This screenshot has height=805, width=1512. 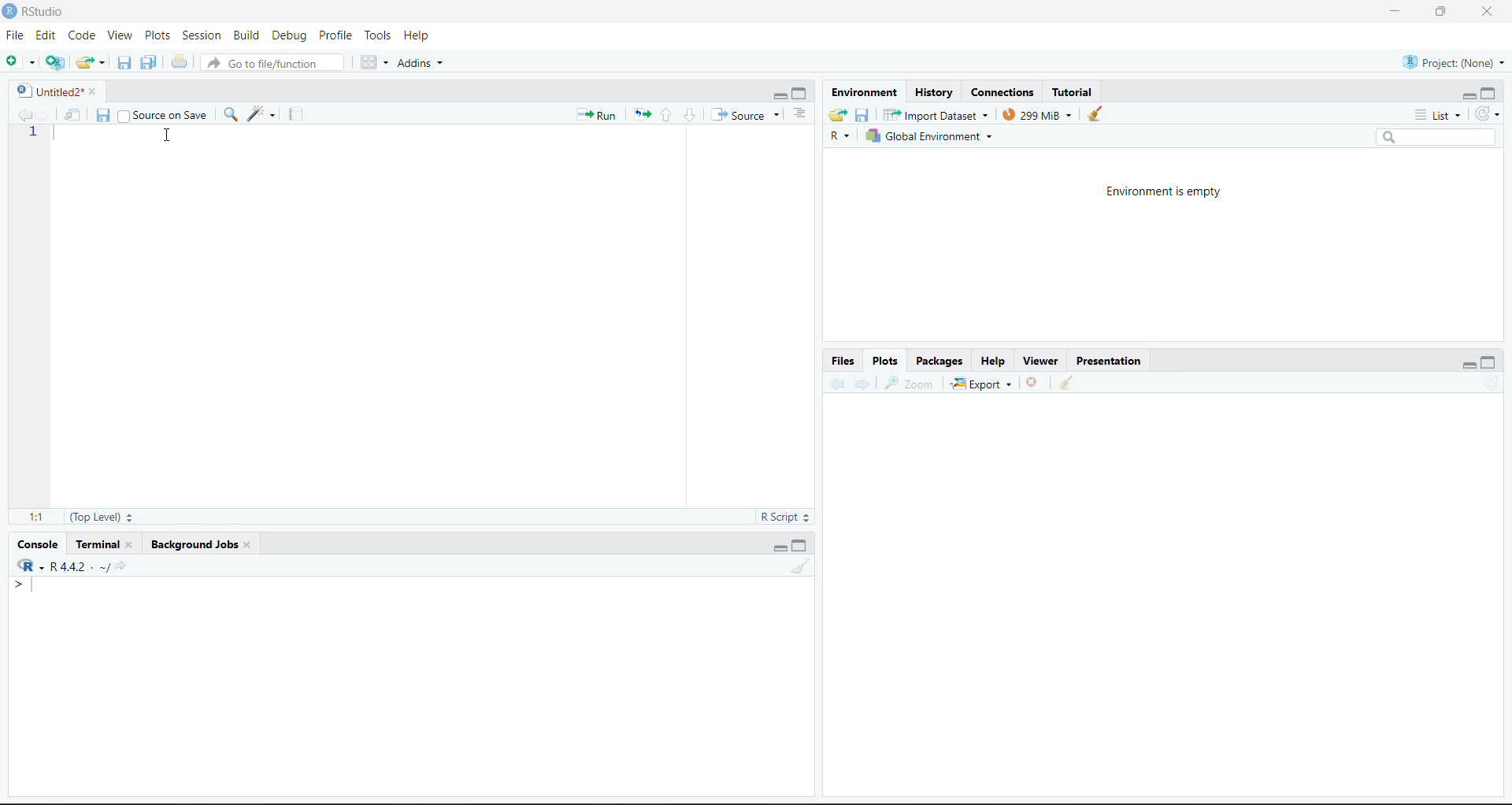 I want to click on Console, so click(x=38, y=544).